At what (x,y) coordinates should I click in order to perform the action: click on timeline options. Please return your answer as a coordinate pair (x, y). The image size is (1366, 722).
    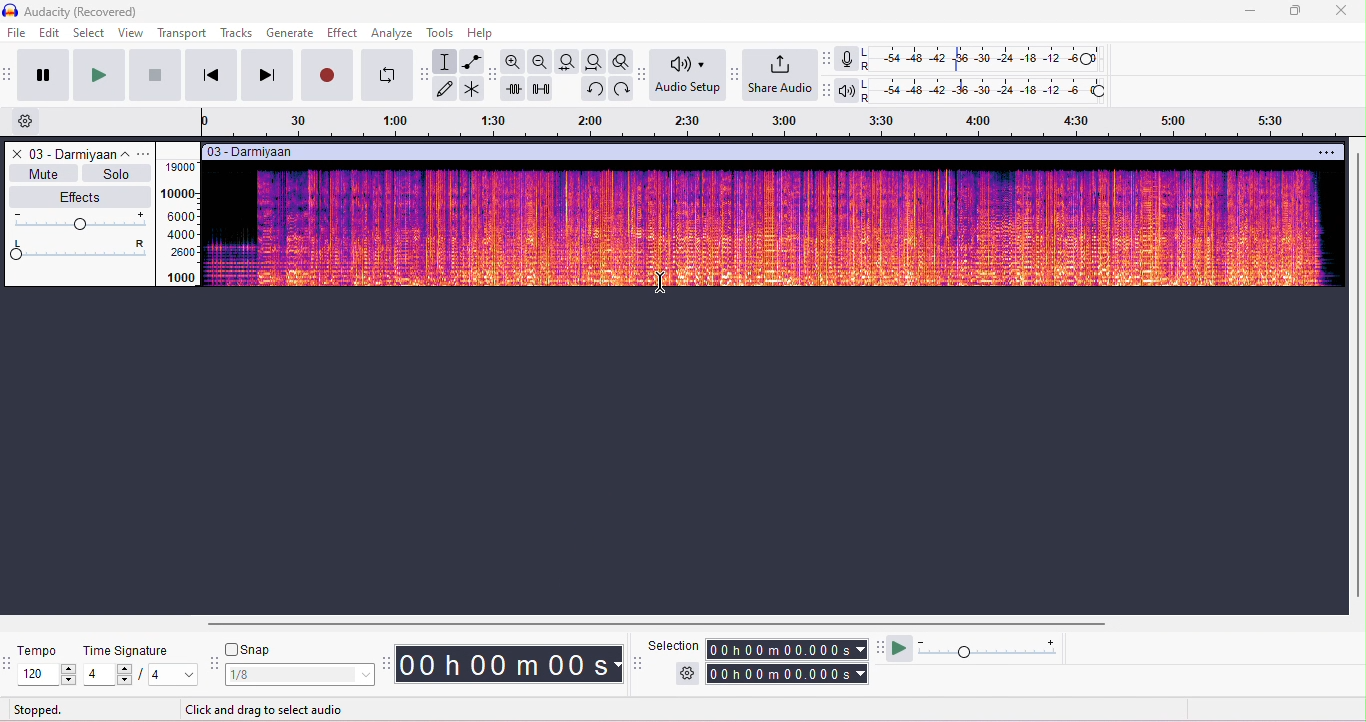
    Looking at the image, I should click on (27, 122).